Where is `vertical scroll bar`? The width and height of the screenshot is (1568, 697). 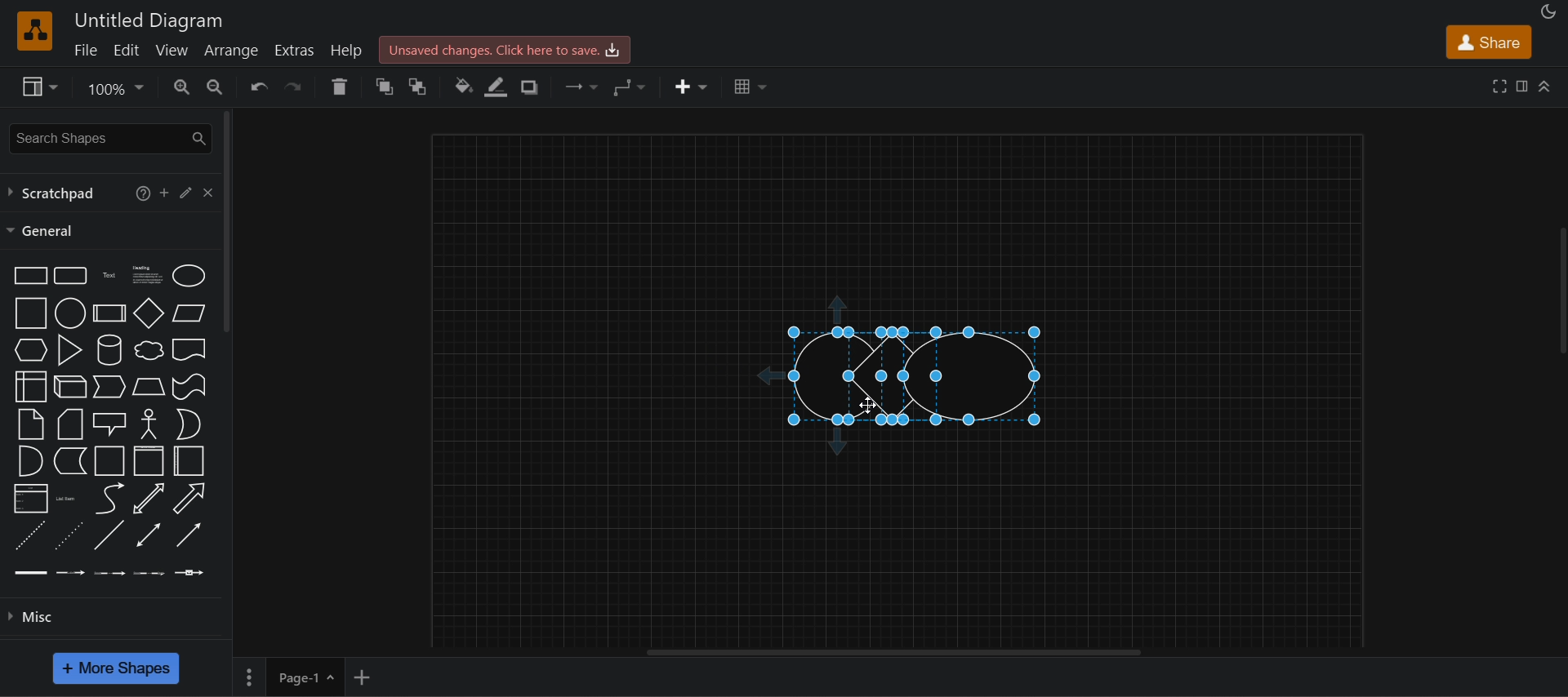
vertical scroll bar is located at coordinates (228, 222).